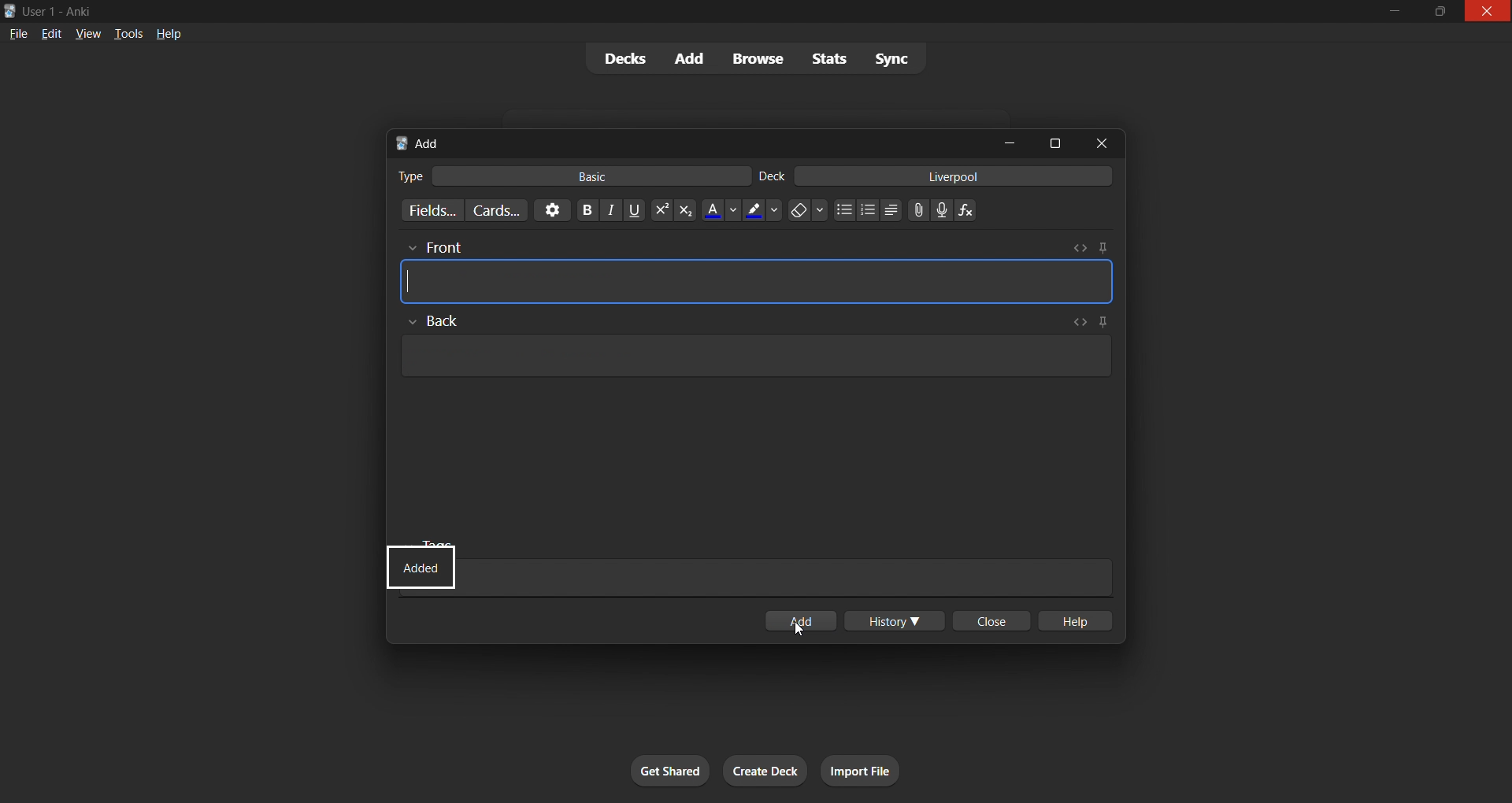 Image resolution: width=1512 pixels, height=803 pixels. Describe the element at coordinates (1080, 620) in the screenshot. I see `help` at that location.